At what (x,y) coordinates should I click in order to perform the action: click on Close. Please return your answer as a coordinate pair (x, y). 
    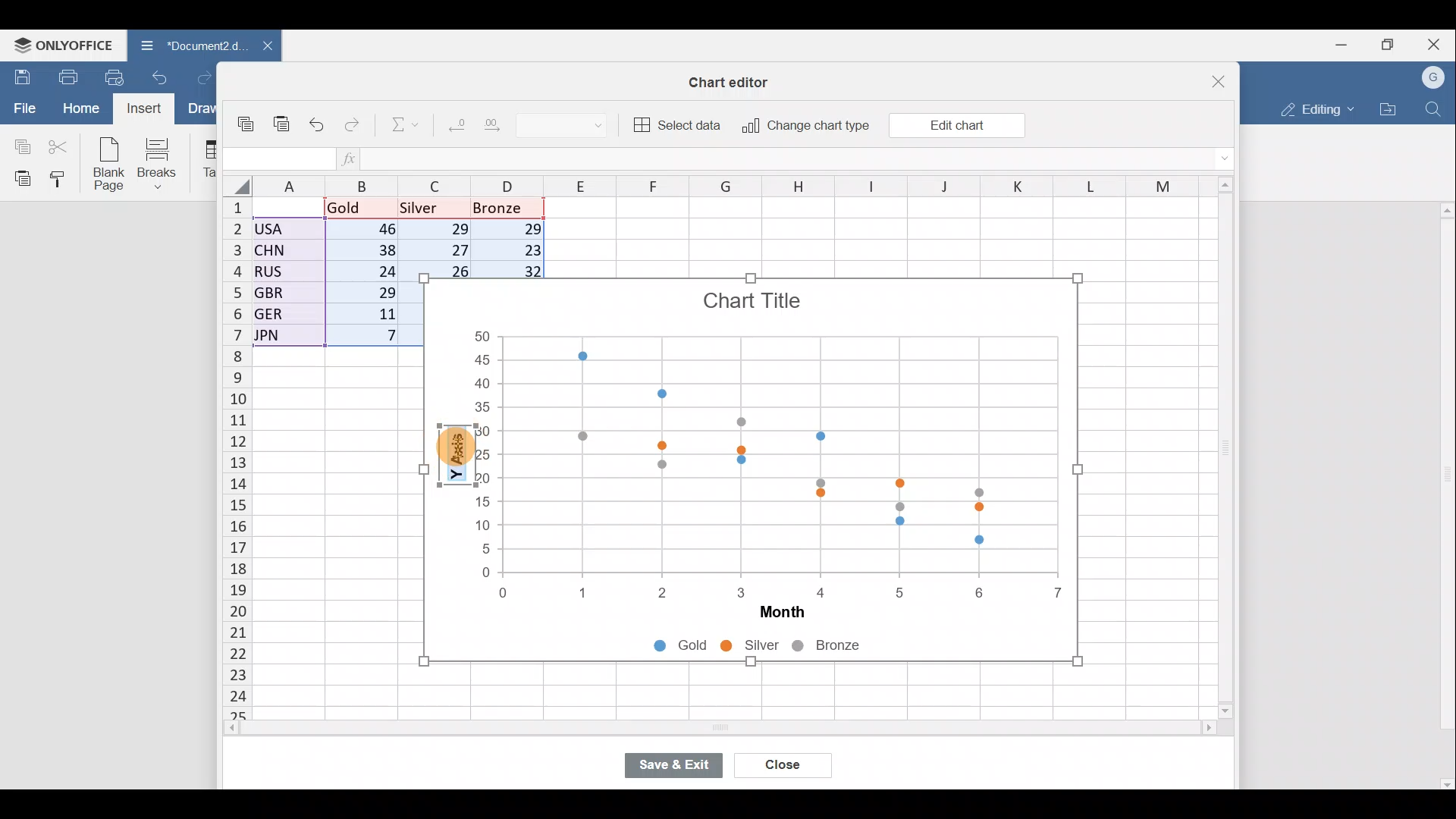
    Looking at the image, I should click on (1436, 42).